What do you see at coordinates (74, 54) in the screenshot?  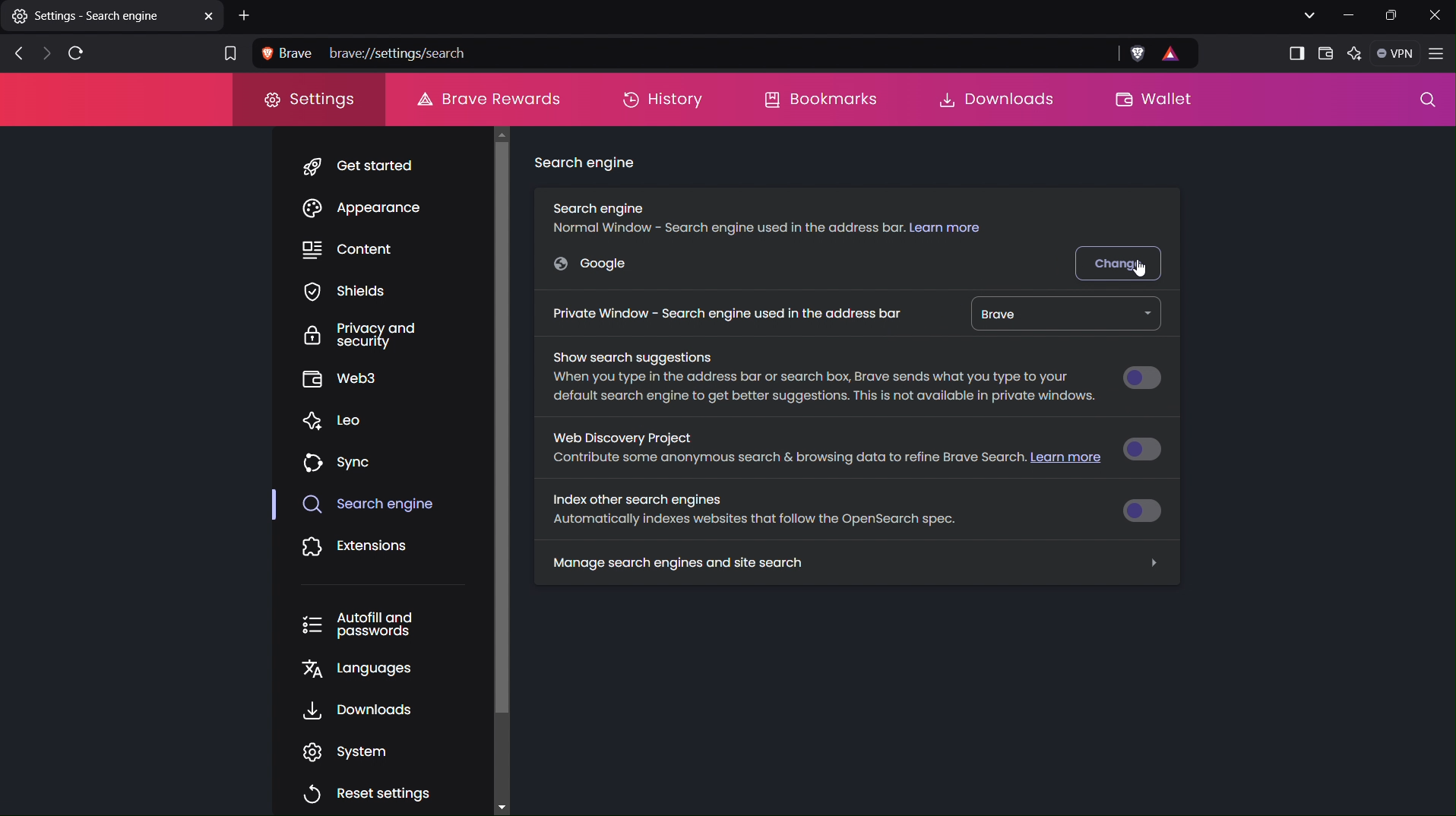 I see `Refresh` at bounding box center [74, 54].